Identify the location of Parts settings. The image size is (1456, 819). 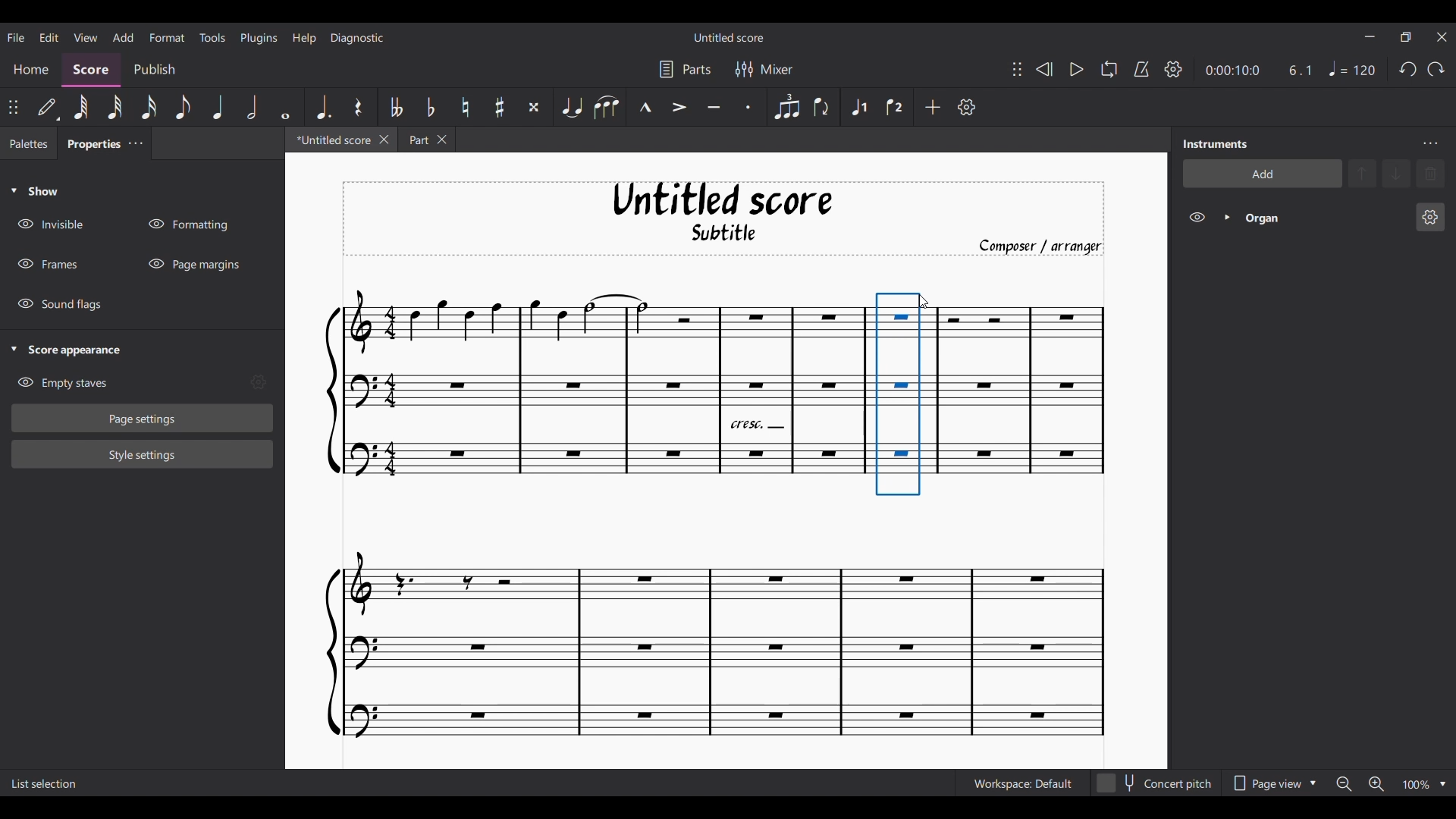
(684, 69).